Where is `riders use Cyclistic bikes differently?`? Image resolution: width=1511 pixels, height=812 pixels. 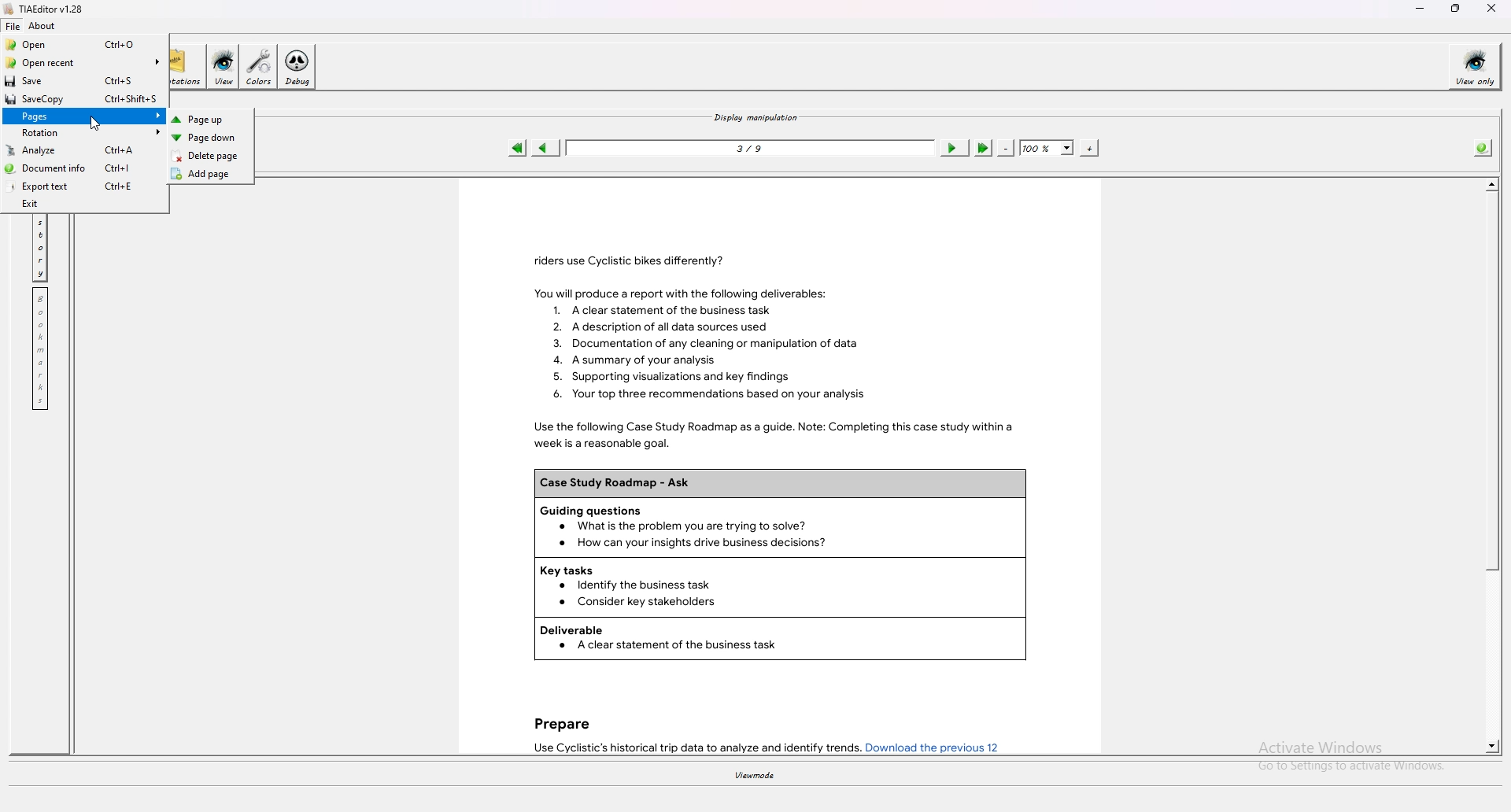
riders use Cyclistic bikes differently? is located at coordinates (623, 257).